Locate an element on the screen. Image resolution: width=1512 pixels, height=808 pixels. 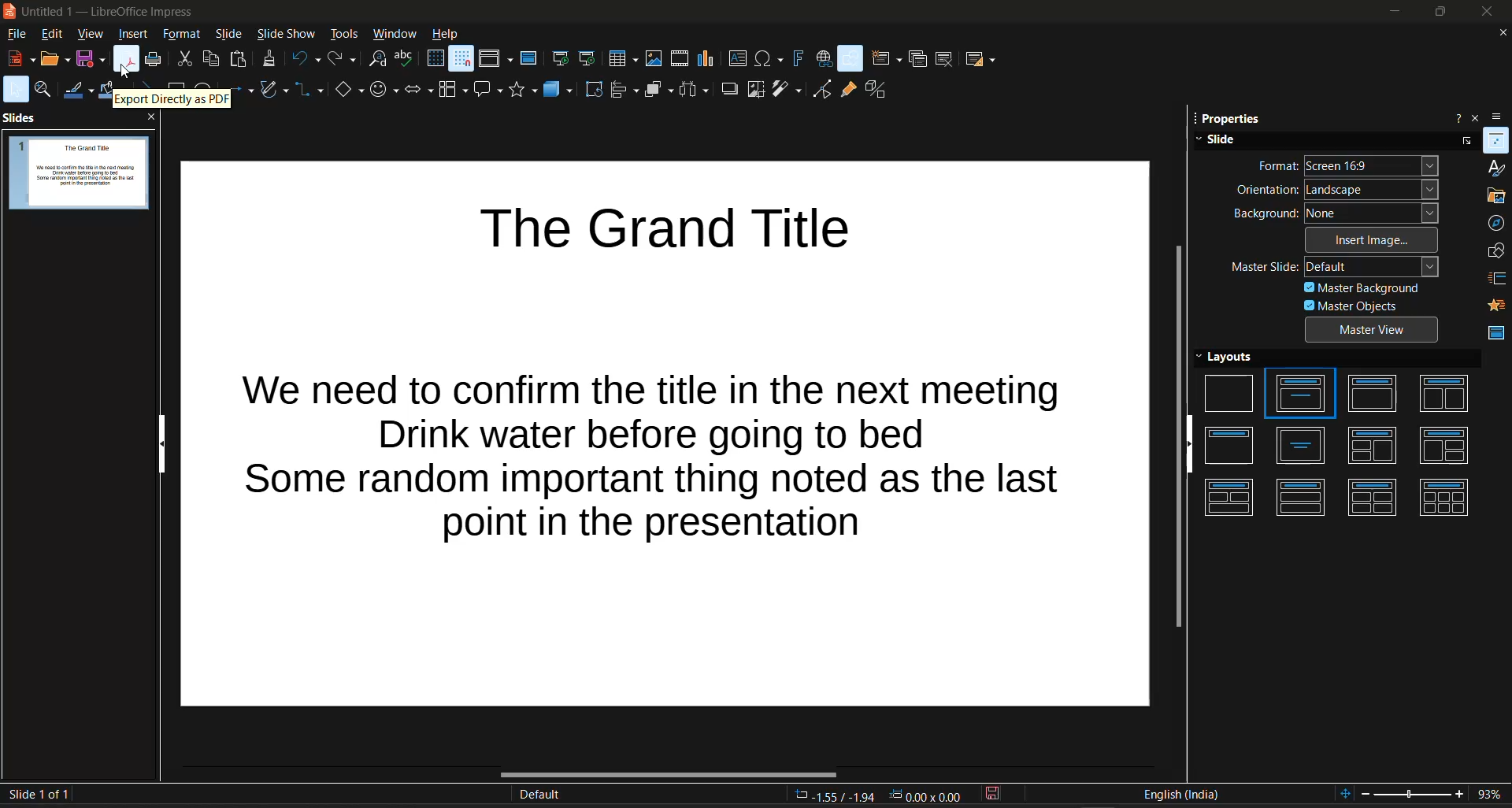
navigator is located at coordinates (1496, 223).